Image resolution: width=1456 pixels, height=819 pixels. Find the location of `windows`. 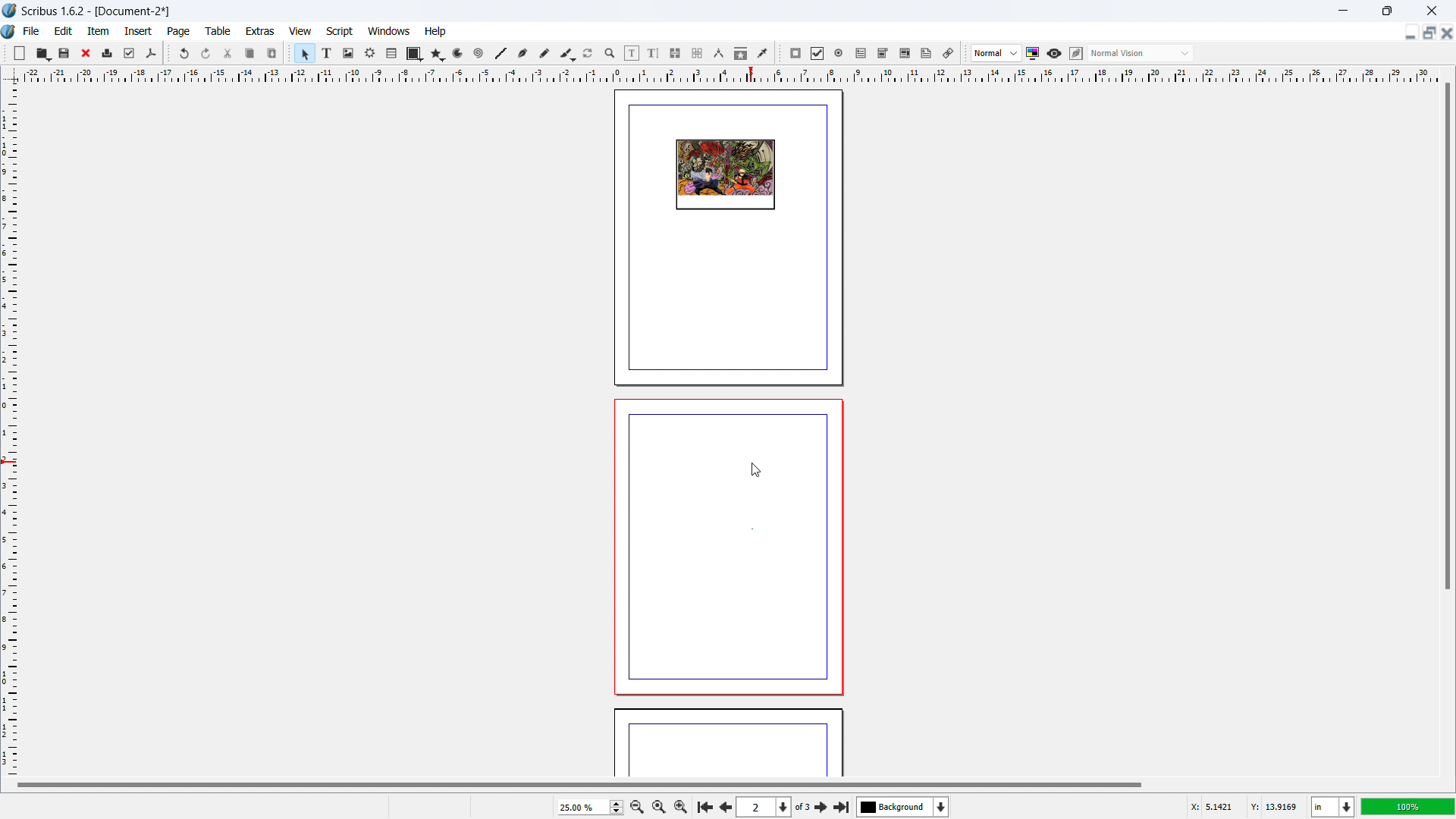

windows is located at coordinates (390, 31).